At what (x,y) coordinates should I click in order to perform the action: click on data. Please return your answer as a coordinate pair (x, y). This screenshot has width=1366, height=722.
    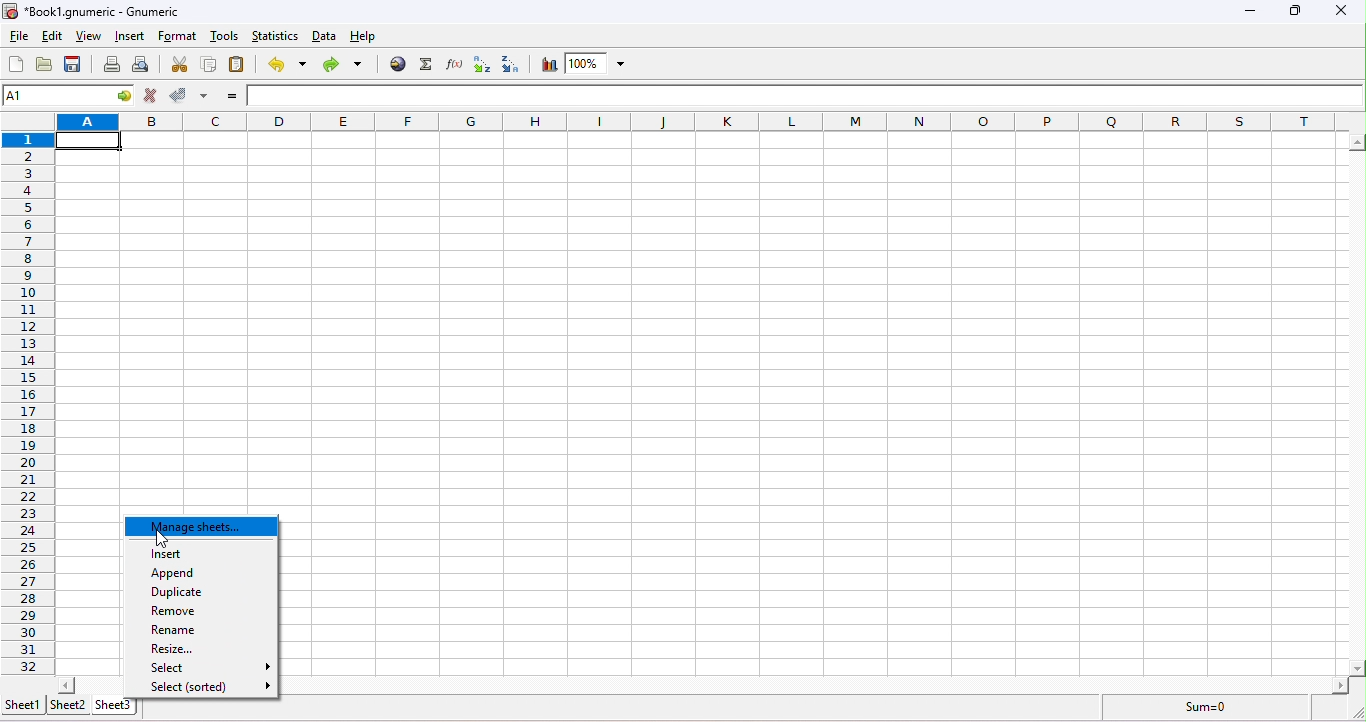
    Looking at the image, I should click on (326, 32).